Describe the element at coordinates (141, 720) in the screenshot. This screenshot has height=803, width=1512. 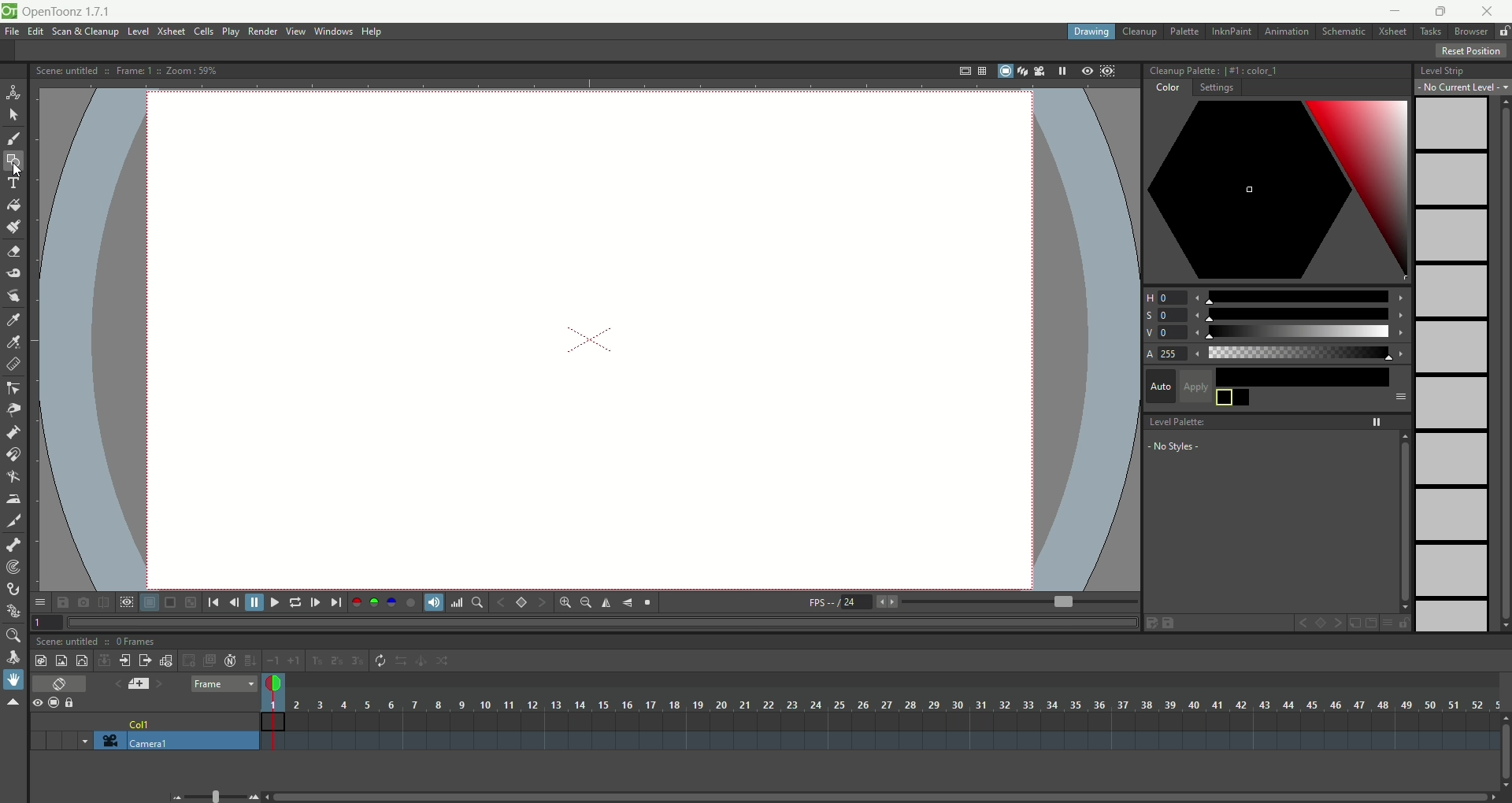
I see `col1` at that location.